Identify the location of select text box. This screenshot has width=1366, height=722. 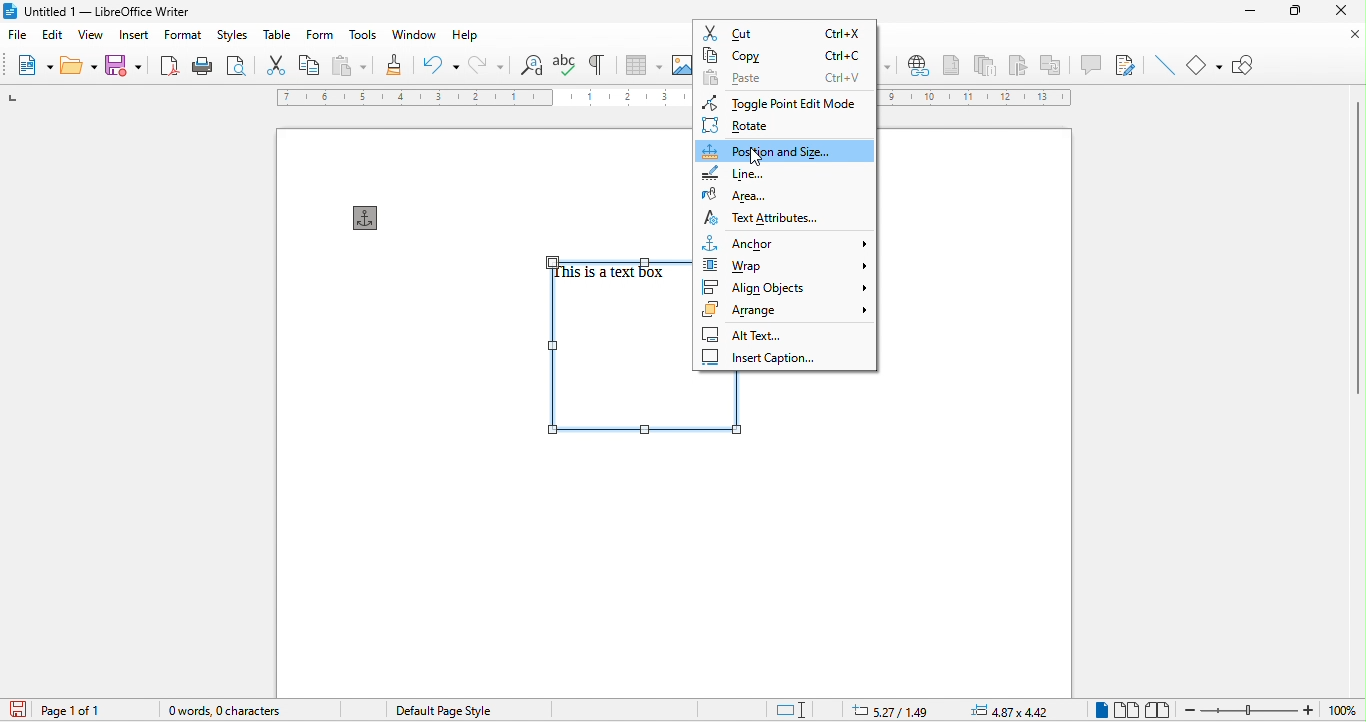
(608, 348).